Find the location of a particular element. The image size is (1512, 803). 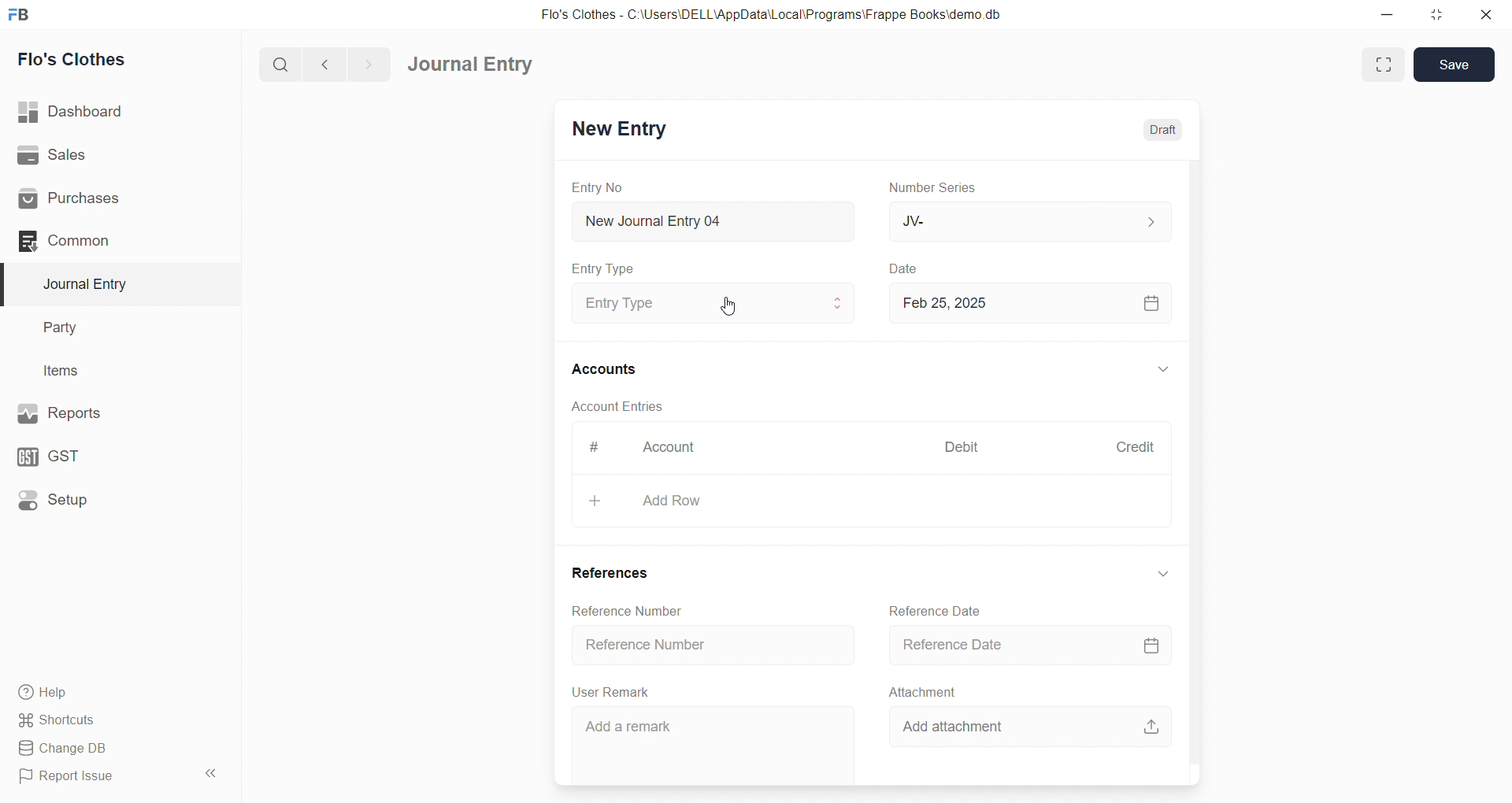

Purchases is located at coordinates (113, 199).